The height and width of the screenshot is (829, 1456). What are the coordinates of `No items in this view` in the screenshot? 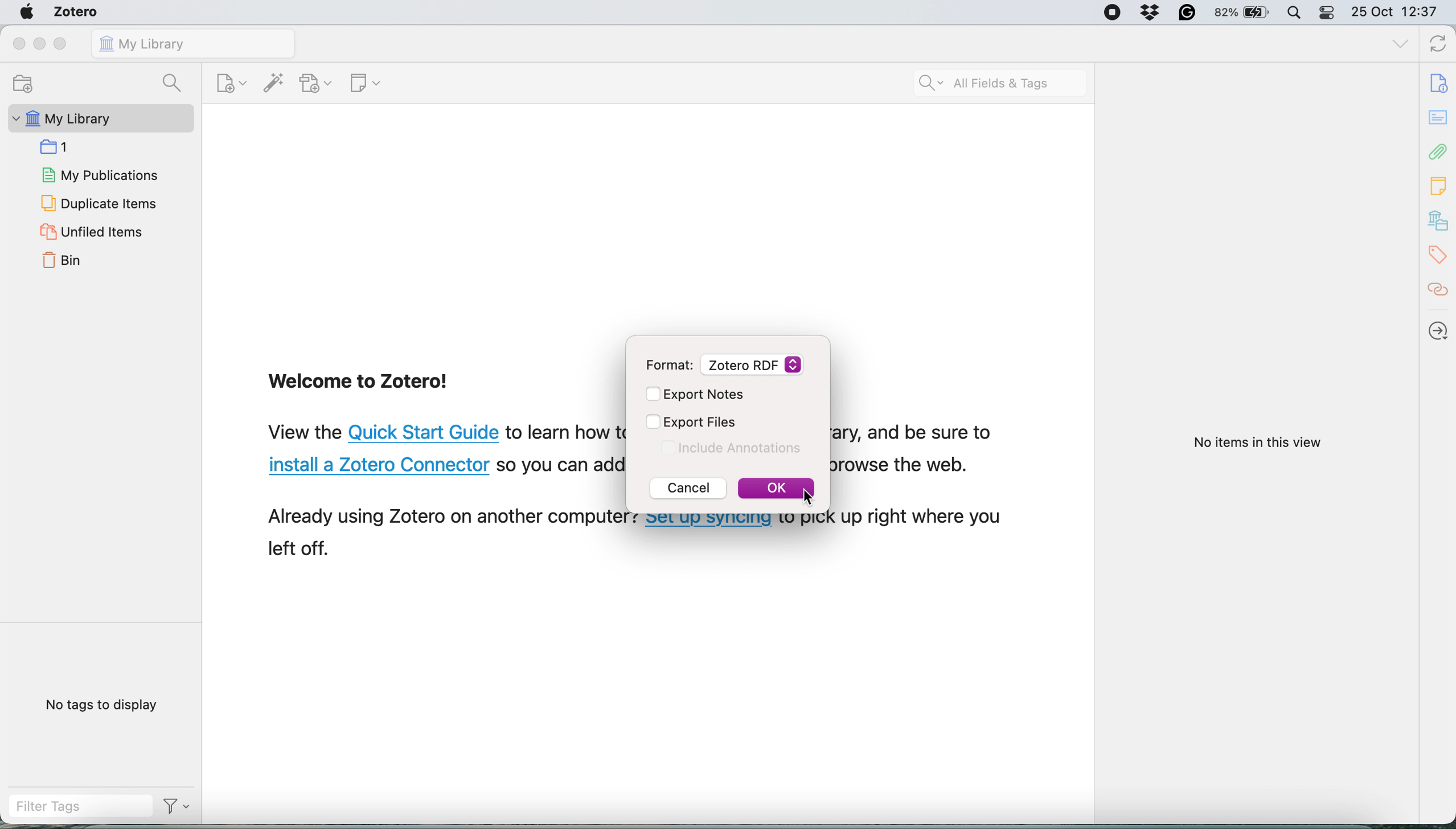 It's located at (1260, 443).